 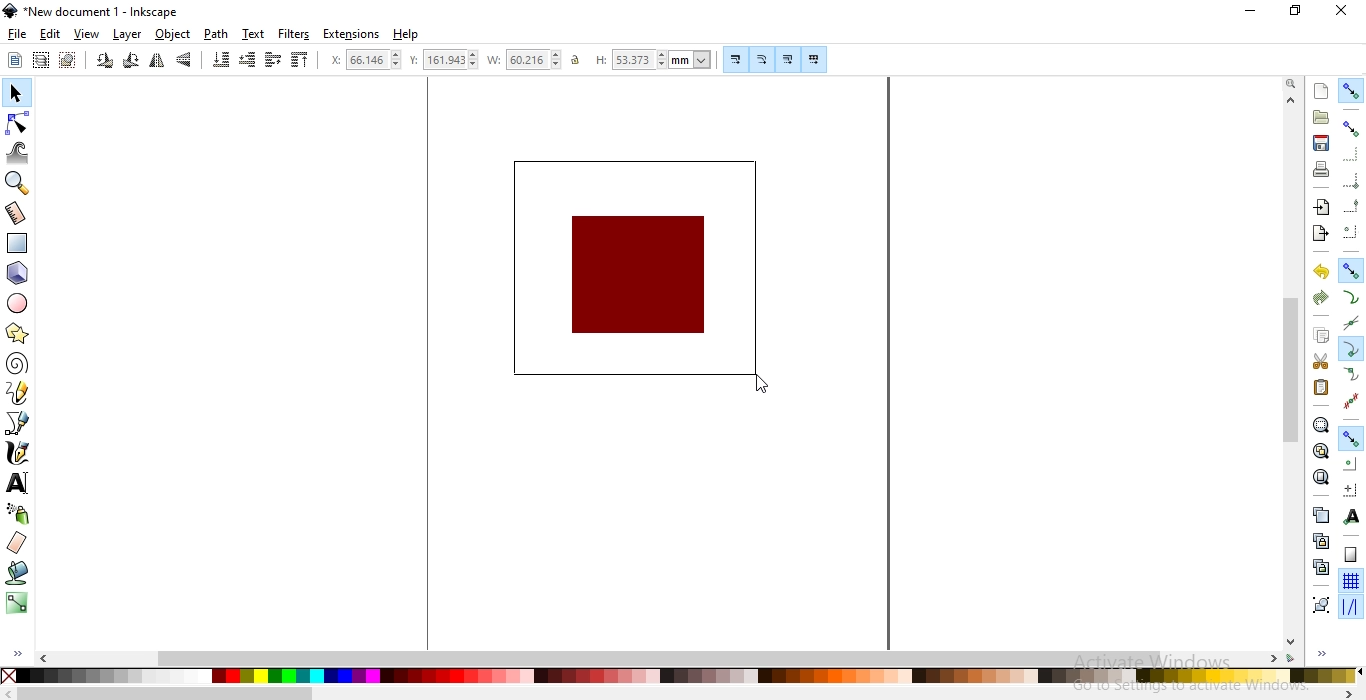 I want to click on flip horizontally, so click(x=157, y=63).